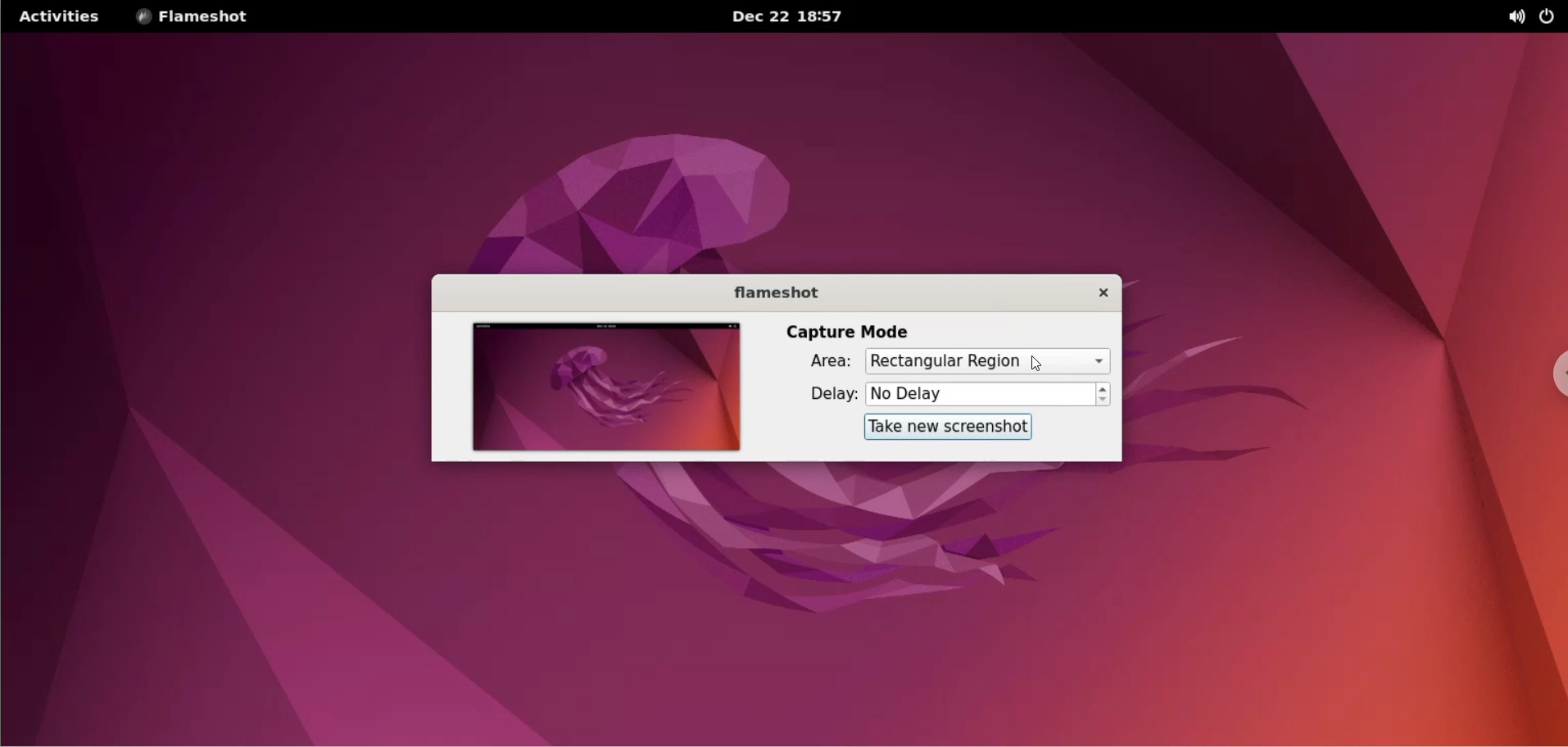 Image resolution: width=1568 pixels, height=747 pixels. What do you see at coordinates (819, 394) in the screenshot?
I see `delay:` at bounding box center [819, 394].